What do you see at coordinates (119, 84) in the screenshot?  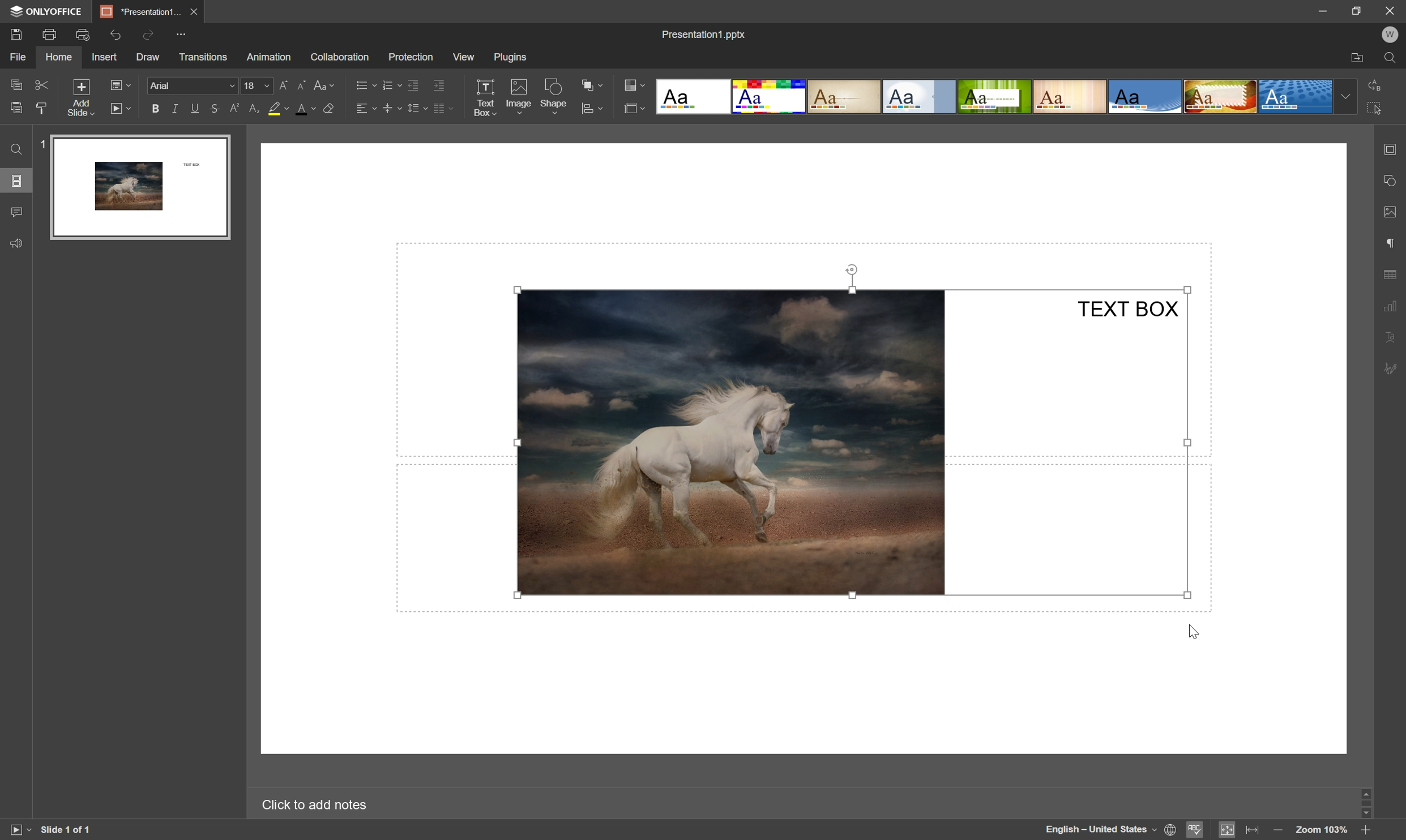 I see `change slide layout` at bounding box center [119, 84].